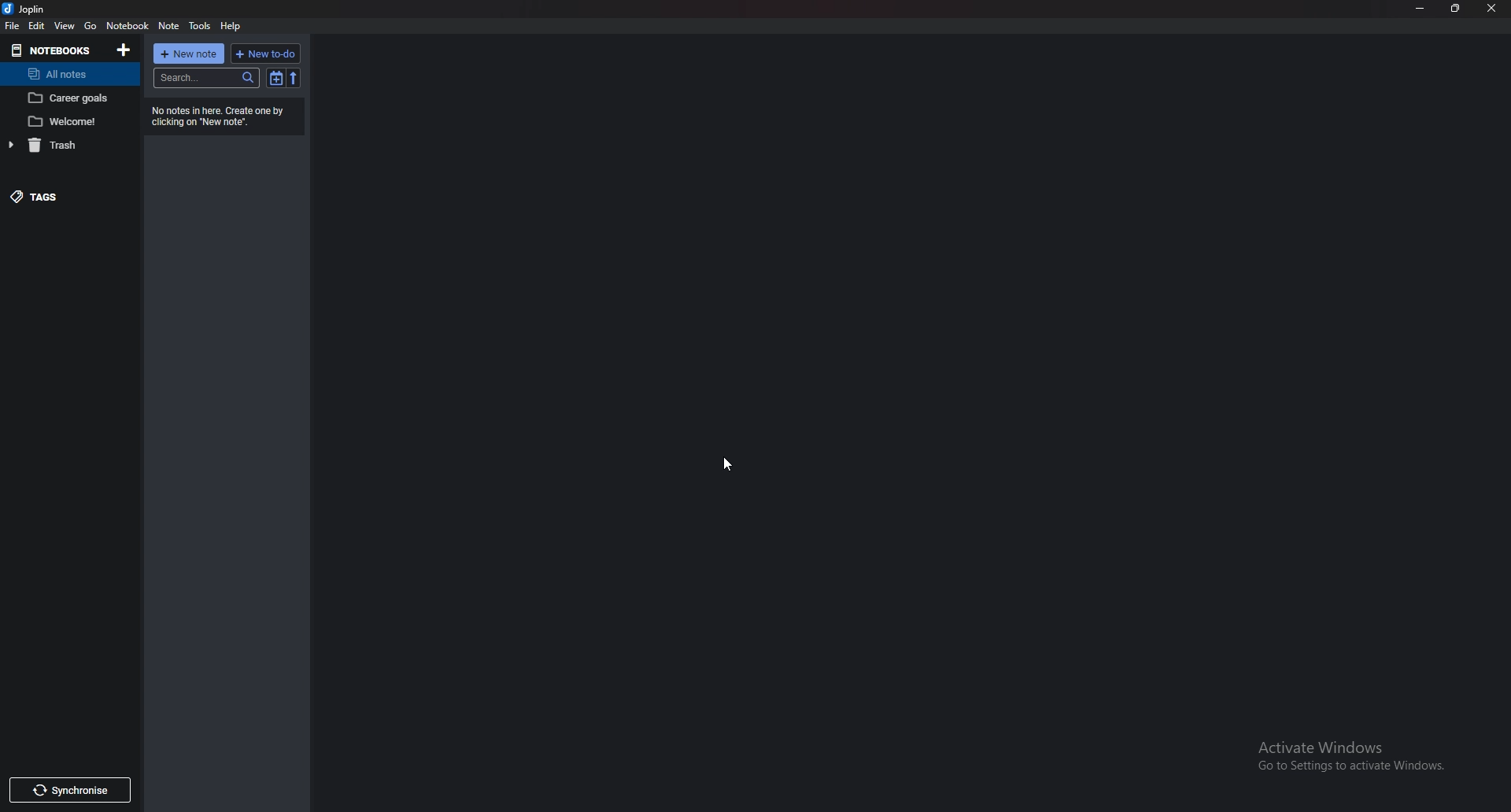  I want to click on toggle sort, so click(276, 78).